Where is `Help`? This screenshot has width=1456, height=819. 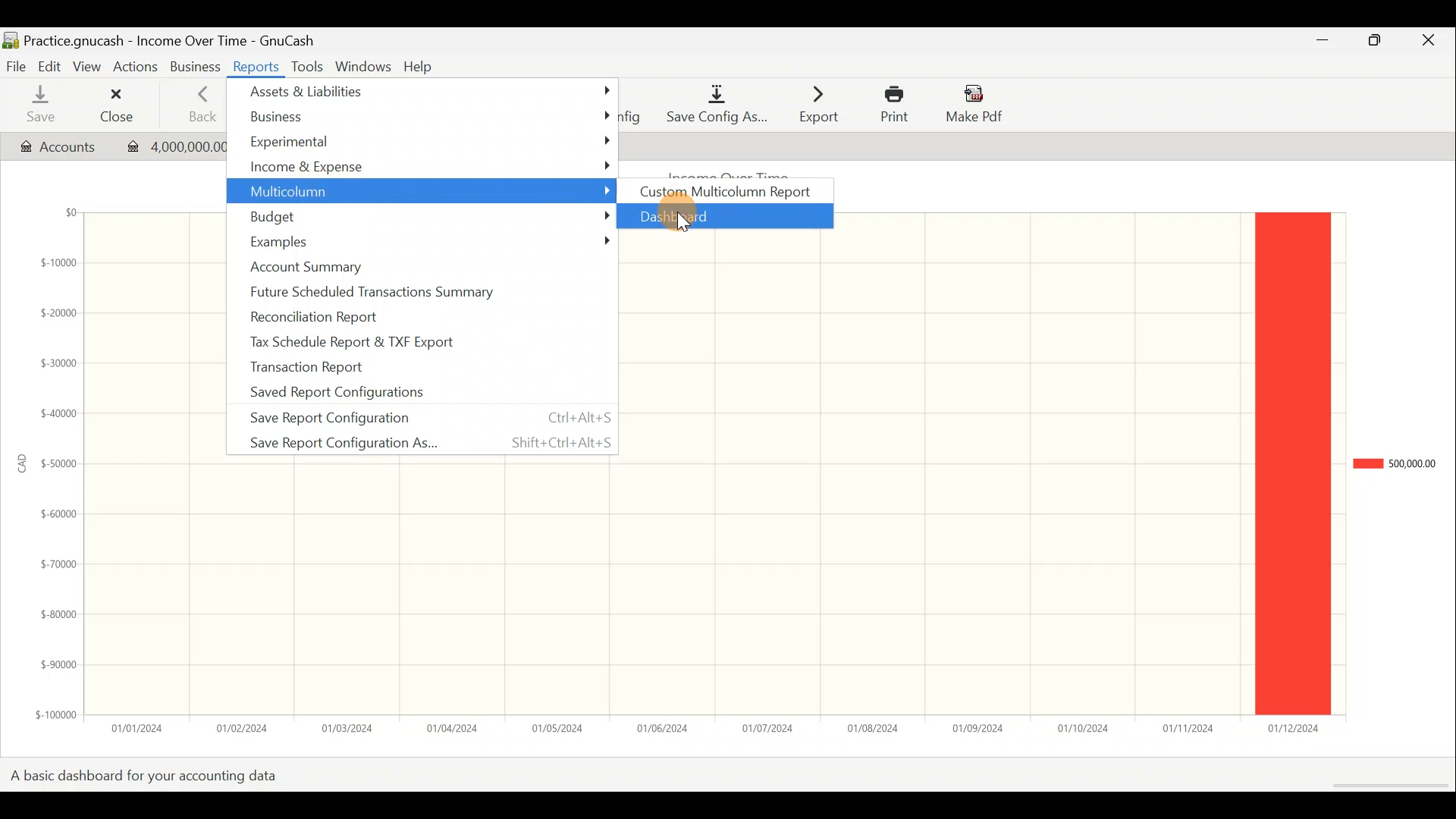
Help is located at coordinates (422, 64).